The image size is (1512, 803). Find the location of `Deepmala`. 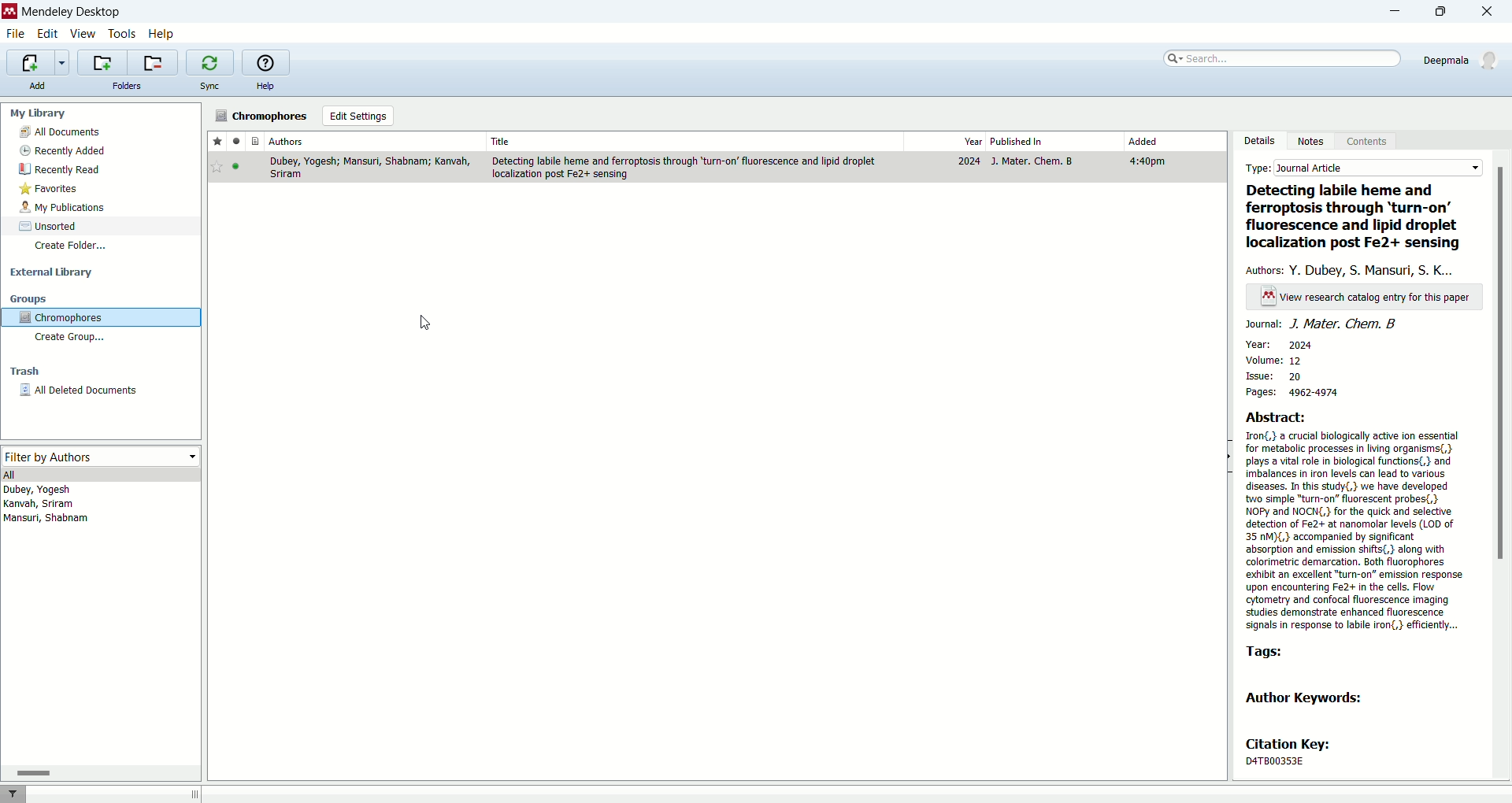

Deepmala is located at coordinates (1462, 57).